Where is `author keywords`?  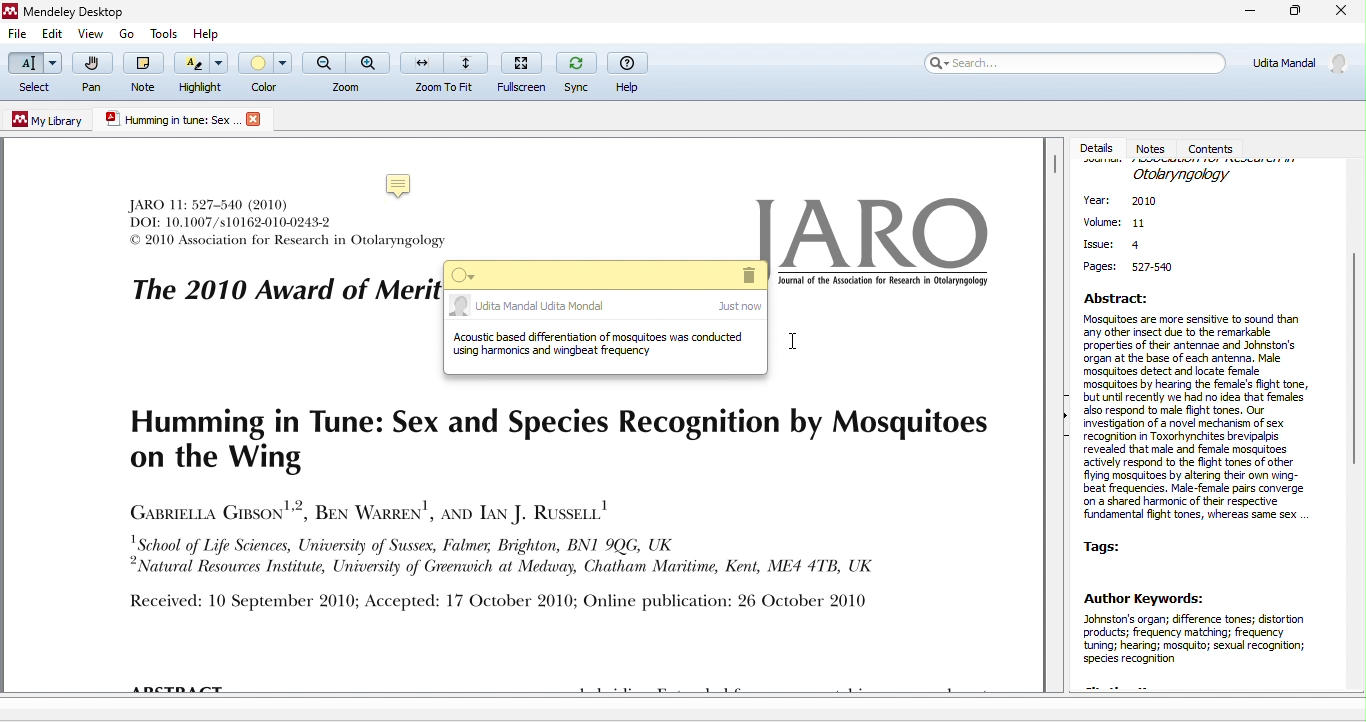
author keywords is located at coordinates (1203, 638).